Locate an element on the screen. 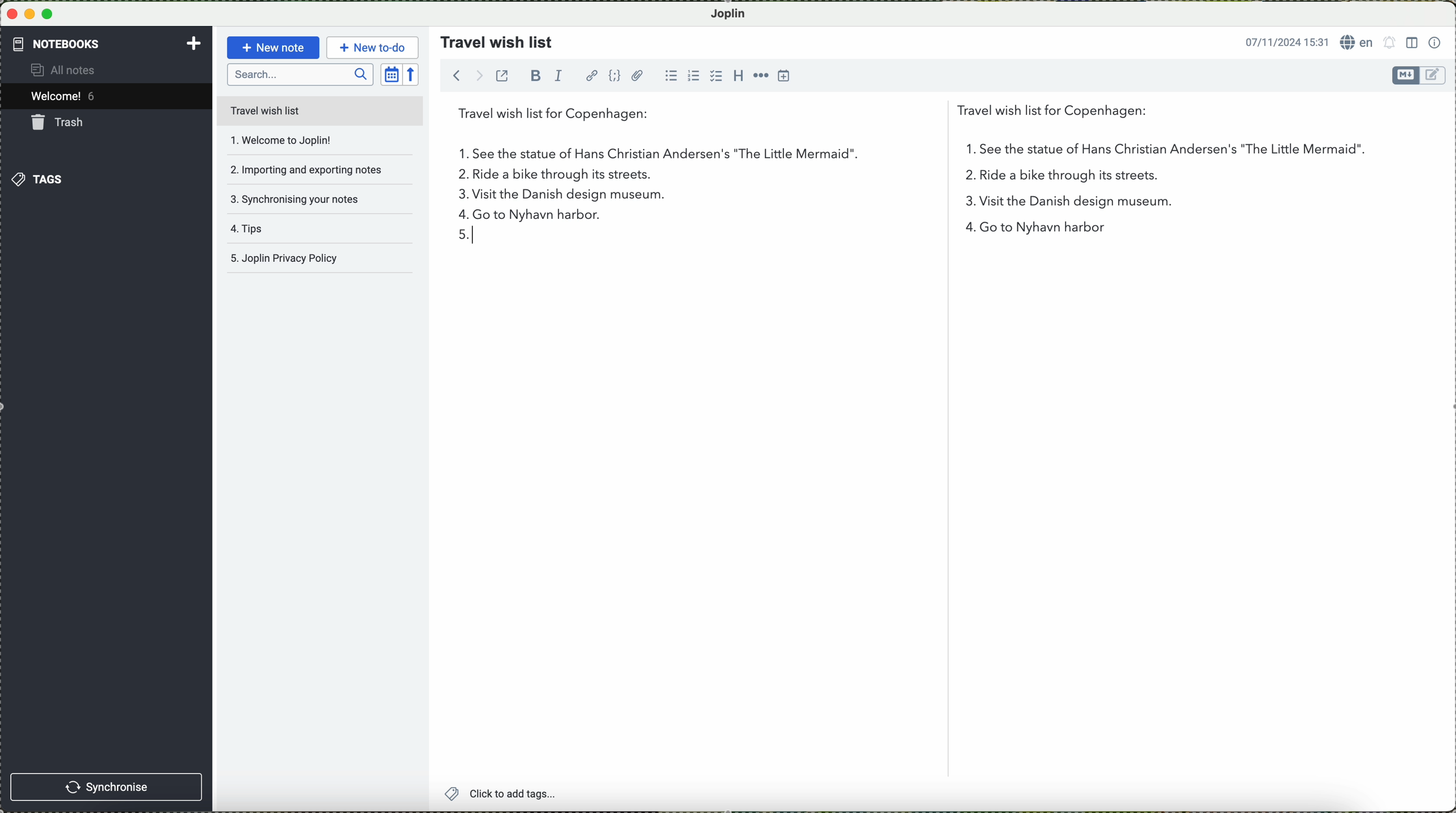 Image resolution: width=1456 pixels, height=813 pixels. travel wish list is located at coordinates (492, 38).